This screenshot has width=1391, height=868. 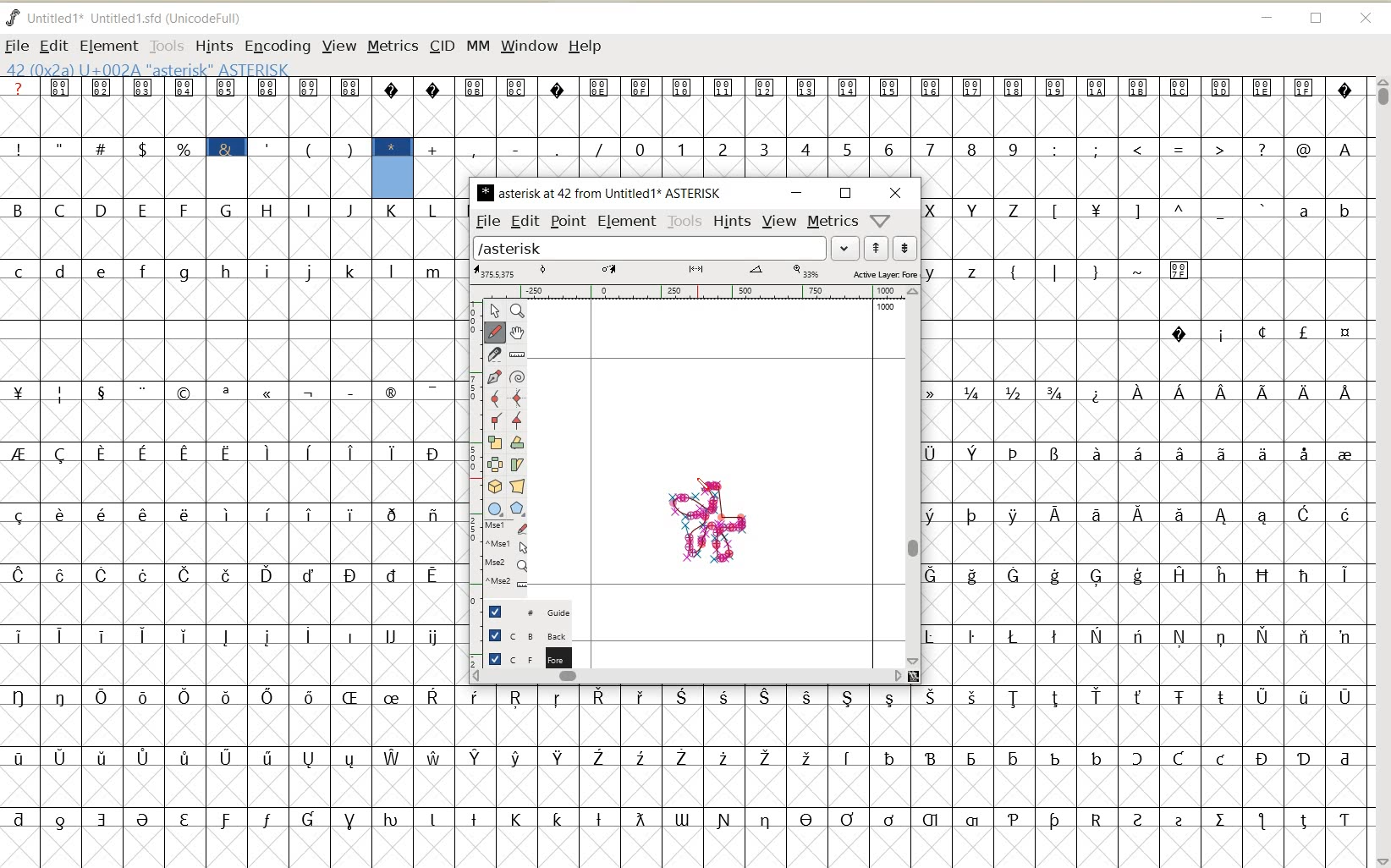 I want to click on GLYPHY SPECIAL CHARACTERS, so click(x=183, y=138).